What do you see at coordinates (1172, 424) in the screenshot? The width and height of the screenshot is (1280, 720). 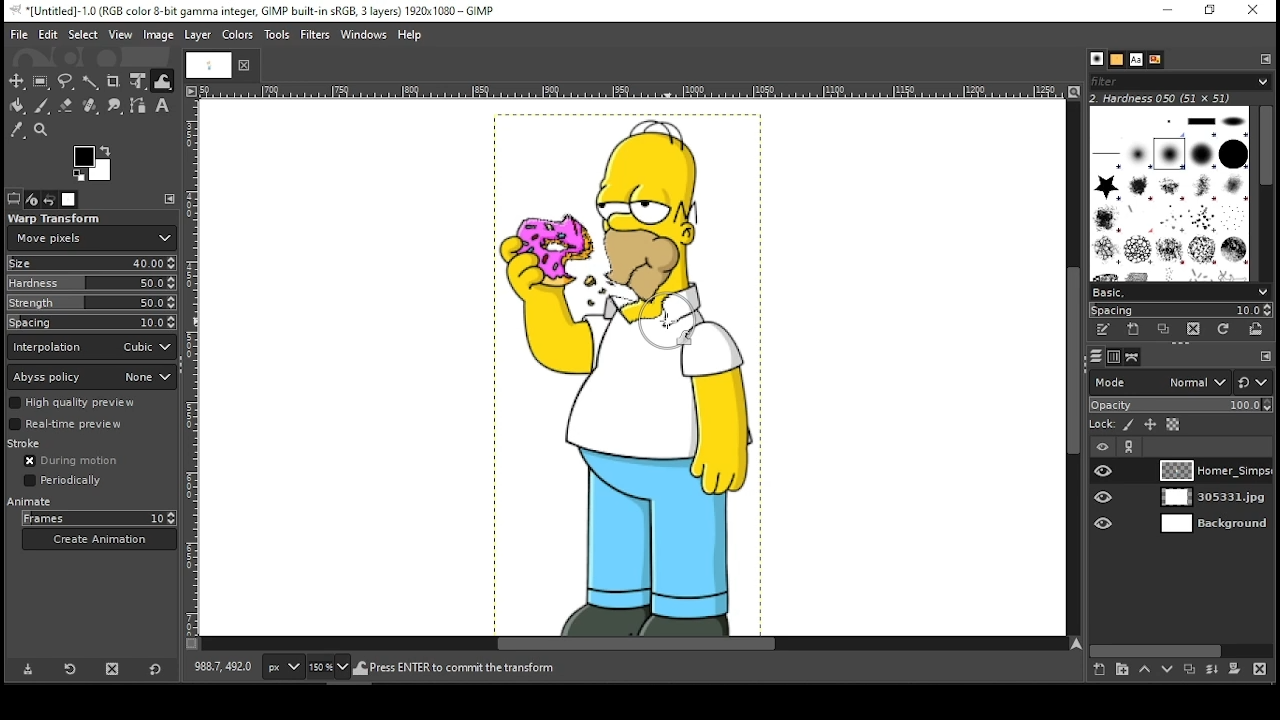 I see `lock alpha channel` at bounding box center [1172, 424].